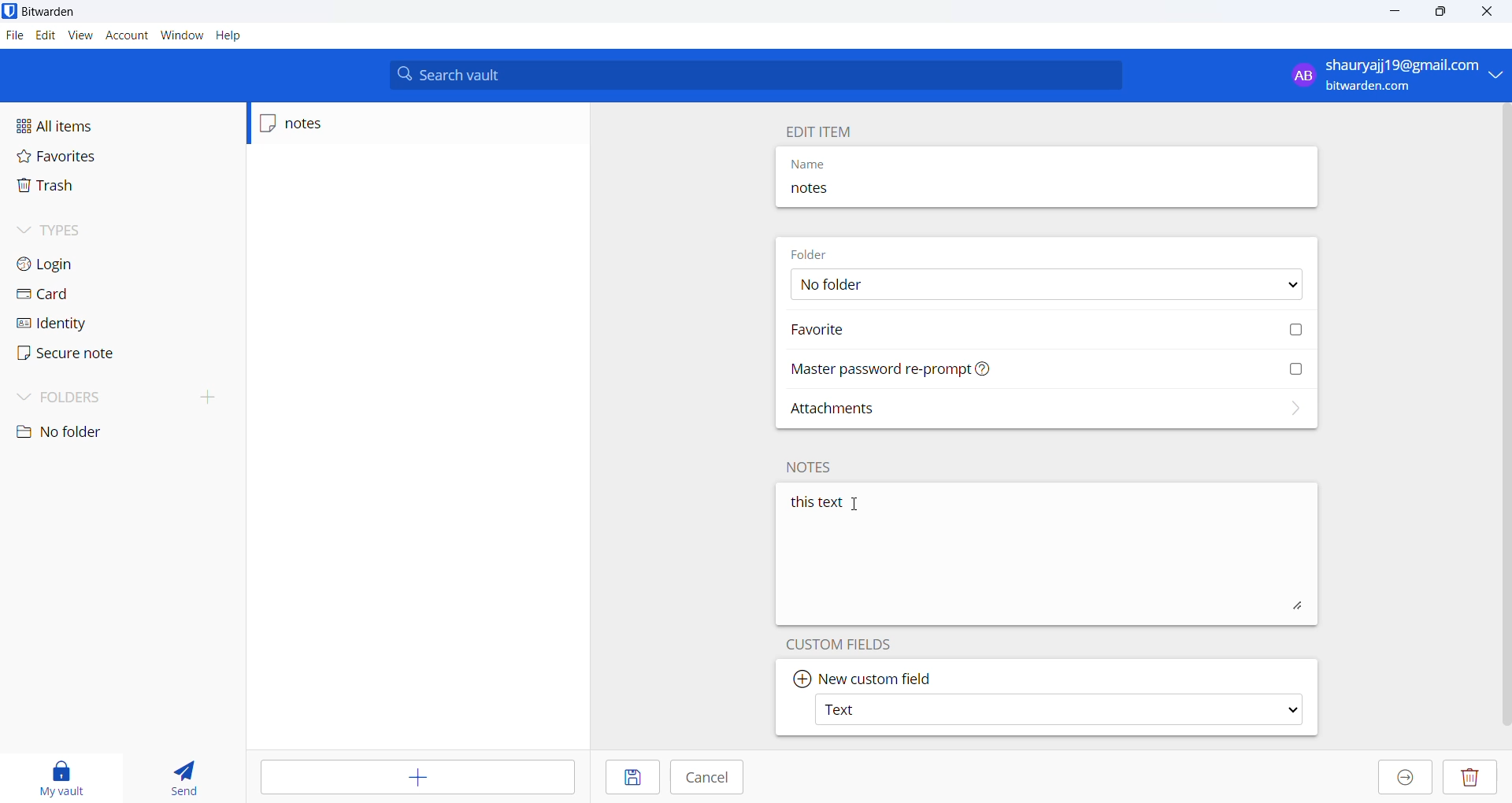 The image size is (1512, 803). What do you see at coordinates (1405, 778) in the screenshot?
I see `move to organization` at bounding box center [1405, 778].